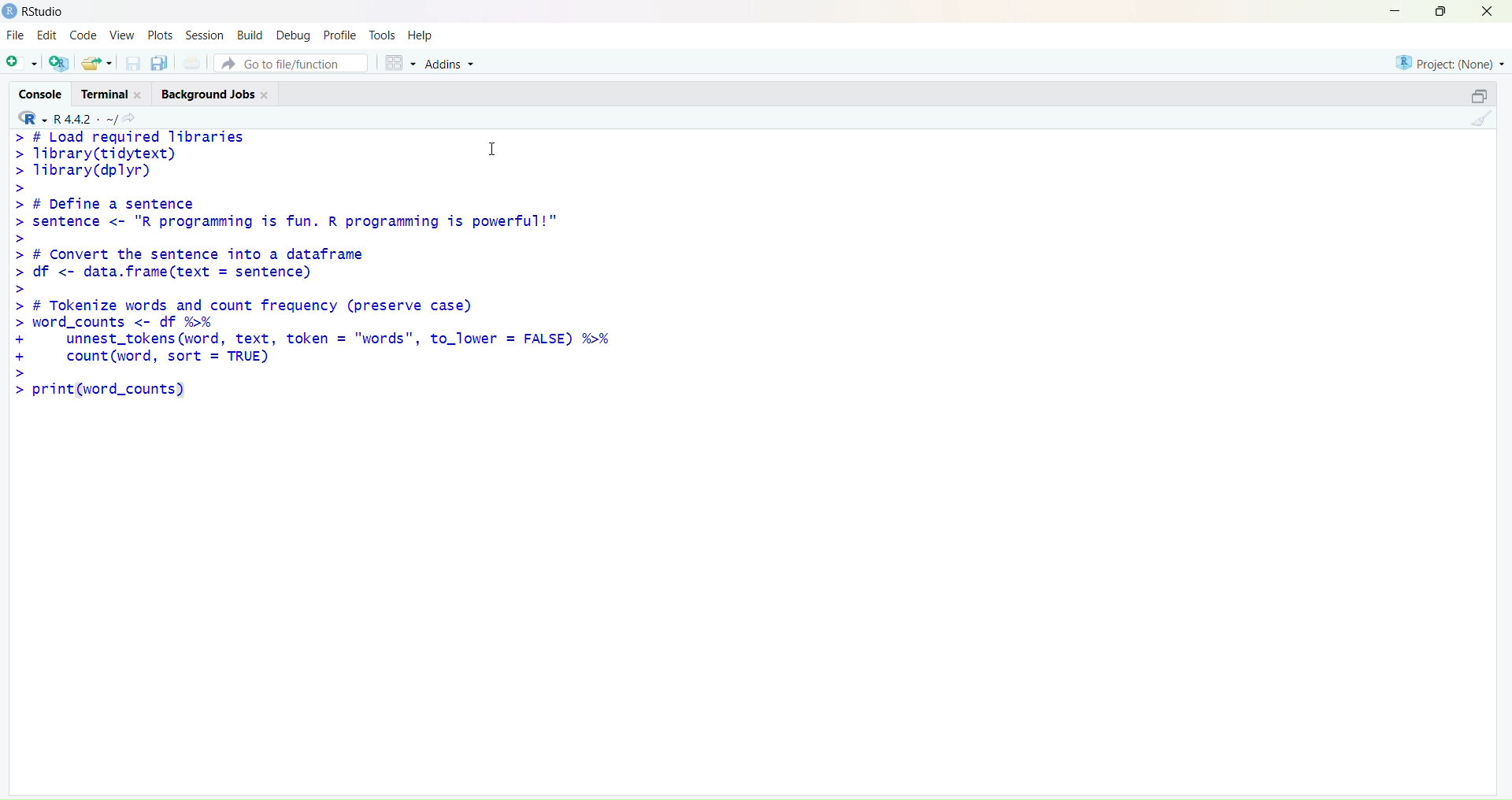 The height and width of the screenshot is (800, 1512). Describe the element at coordinates (1393, 12) in the screenshot. I see `minimize` at that location.